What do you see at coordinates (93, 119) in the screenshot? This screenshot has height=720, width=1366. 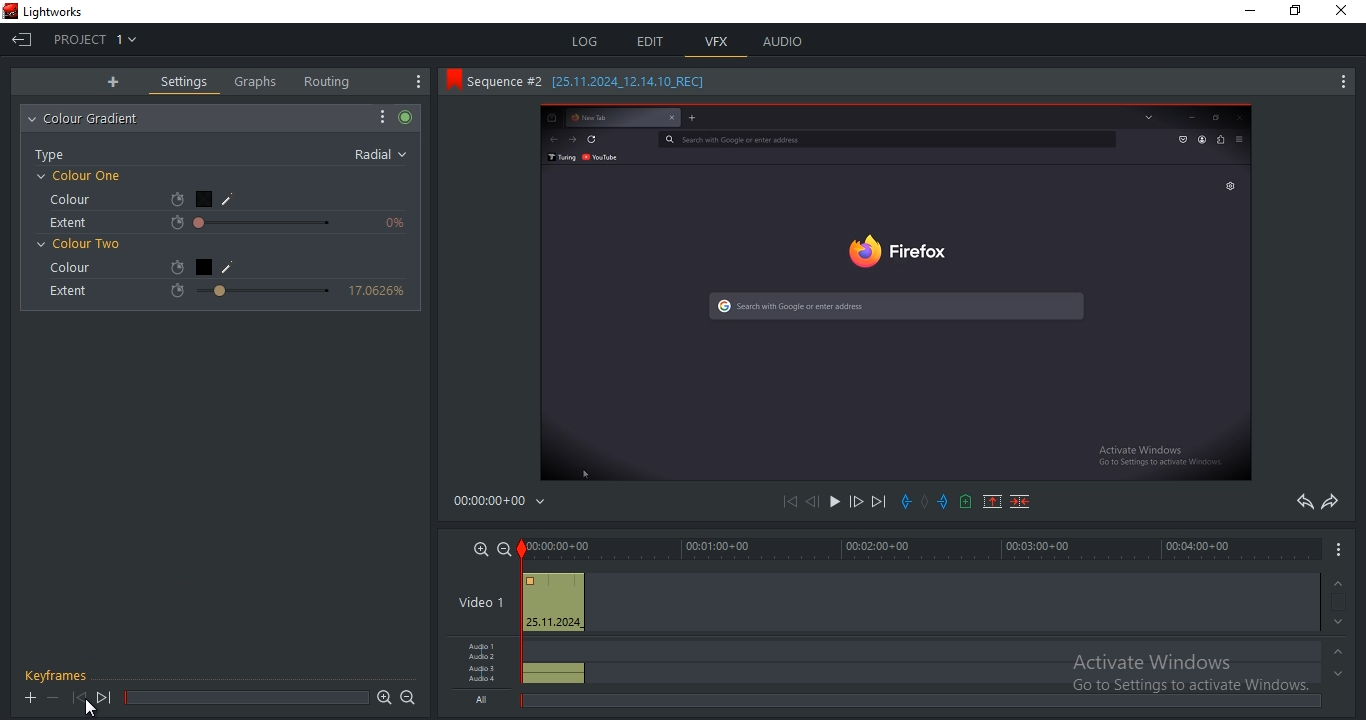 I see `colour gradeint` at bounding box center [93, 119].